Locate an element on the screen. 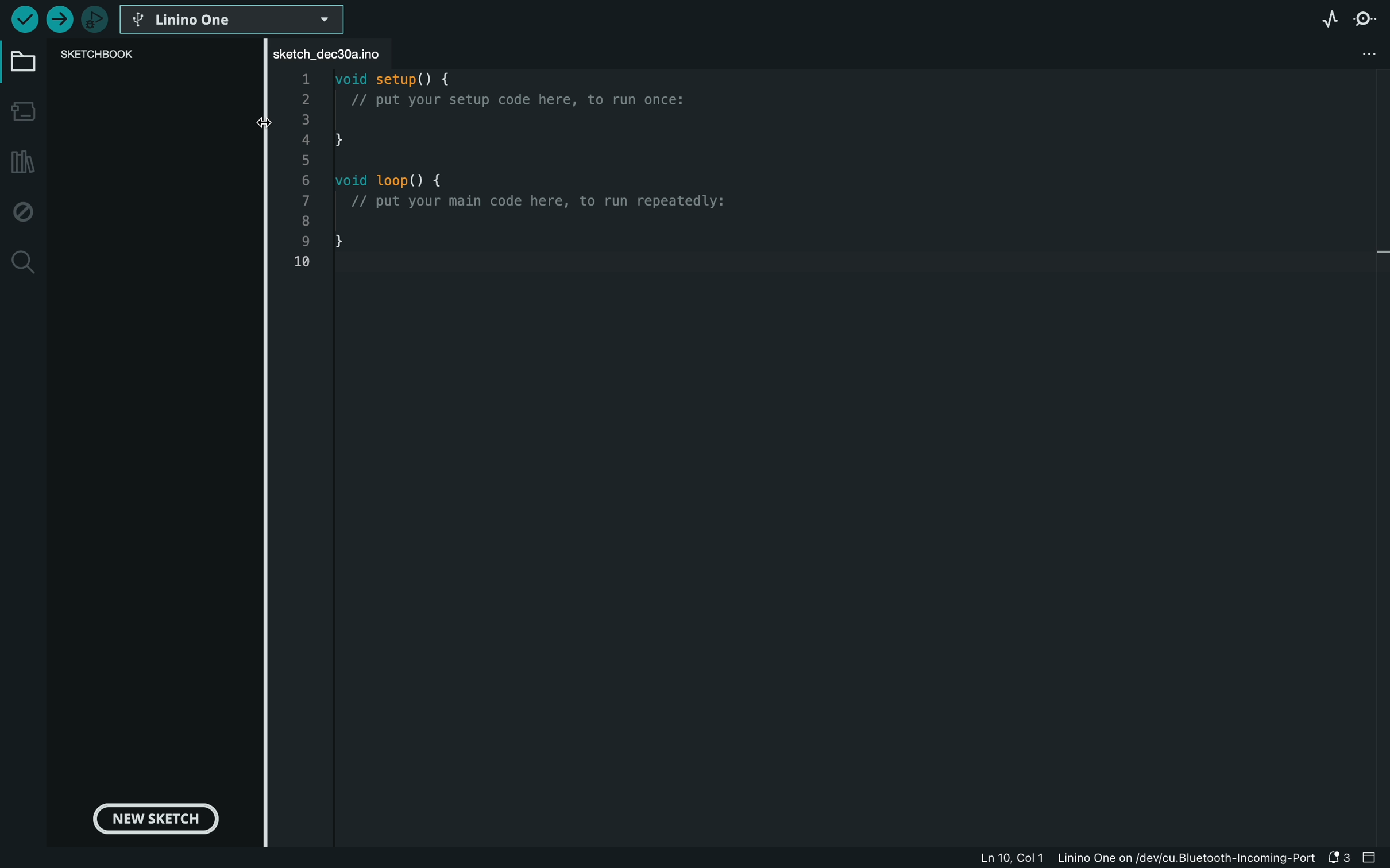  debugger is located at coordinates (98, 19).